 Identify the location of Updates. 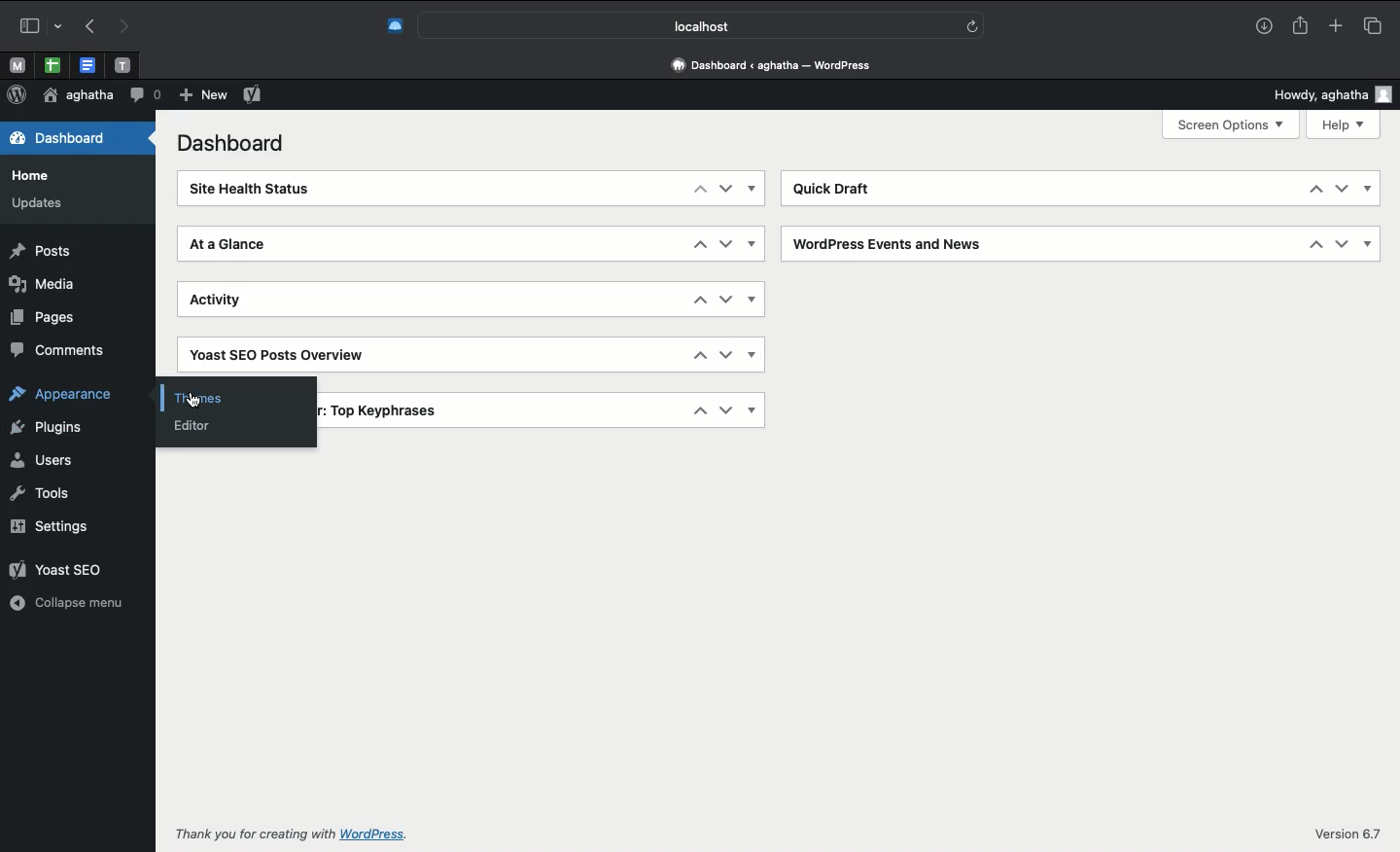
(48, 203).